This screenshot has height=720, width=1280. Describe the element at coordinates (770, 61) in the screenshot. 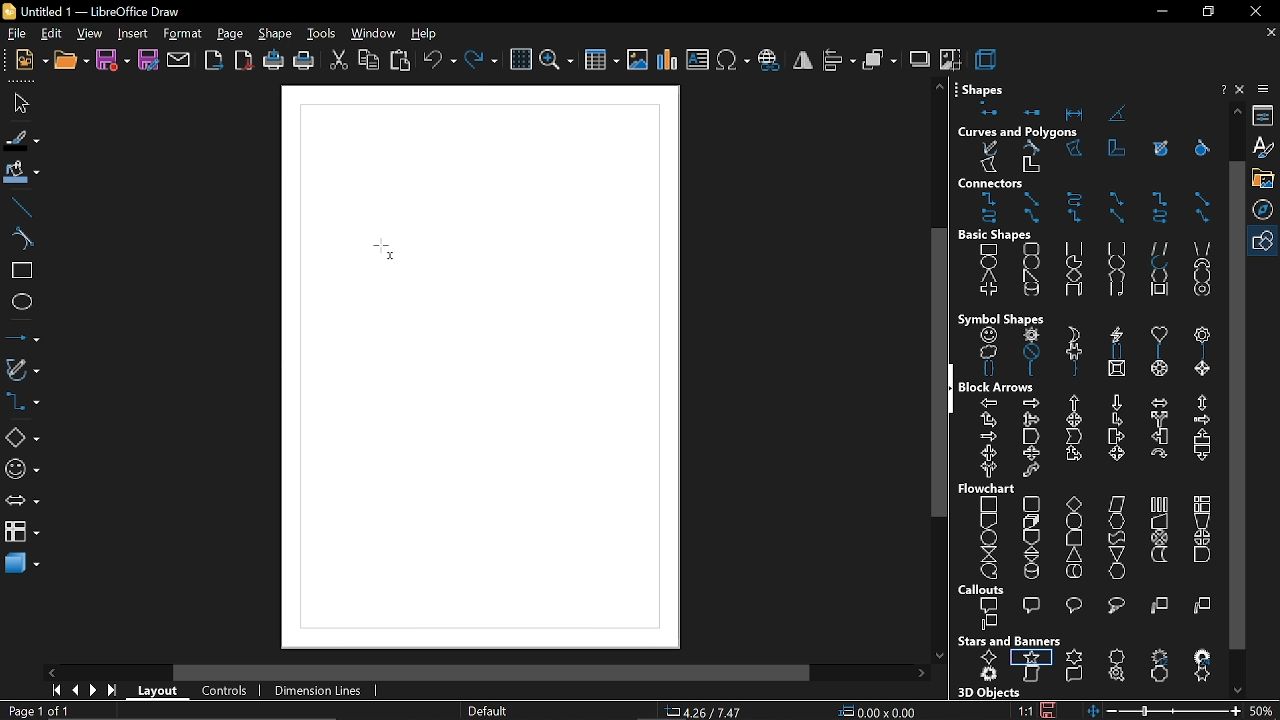

I see `insert hyperlink` at that location.